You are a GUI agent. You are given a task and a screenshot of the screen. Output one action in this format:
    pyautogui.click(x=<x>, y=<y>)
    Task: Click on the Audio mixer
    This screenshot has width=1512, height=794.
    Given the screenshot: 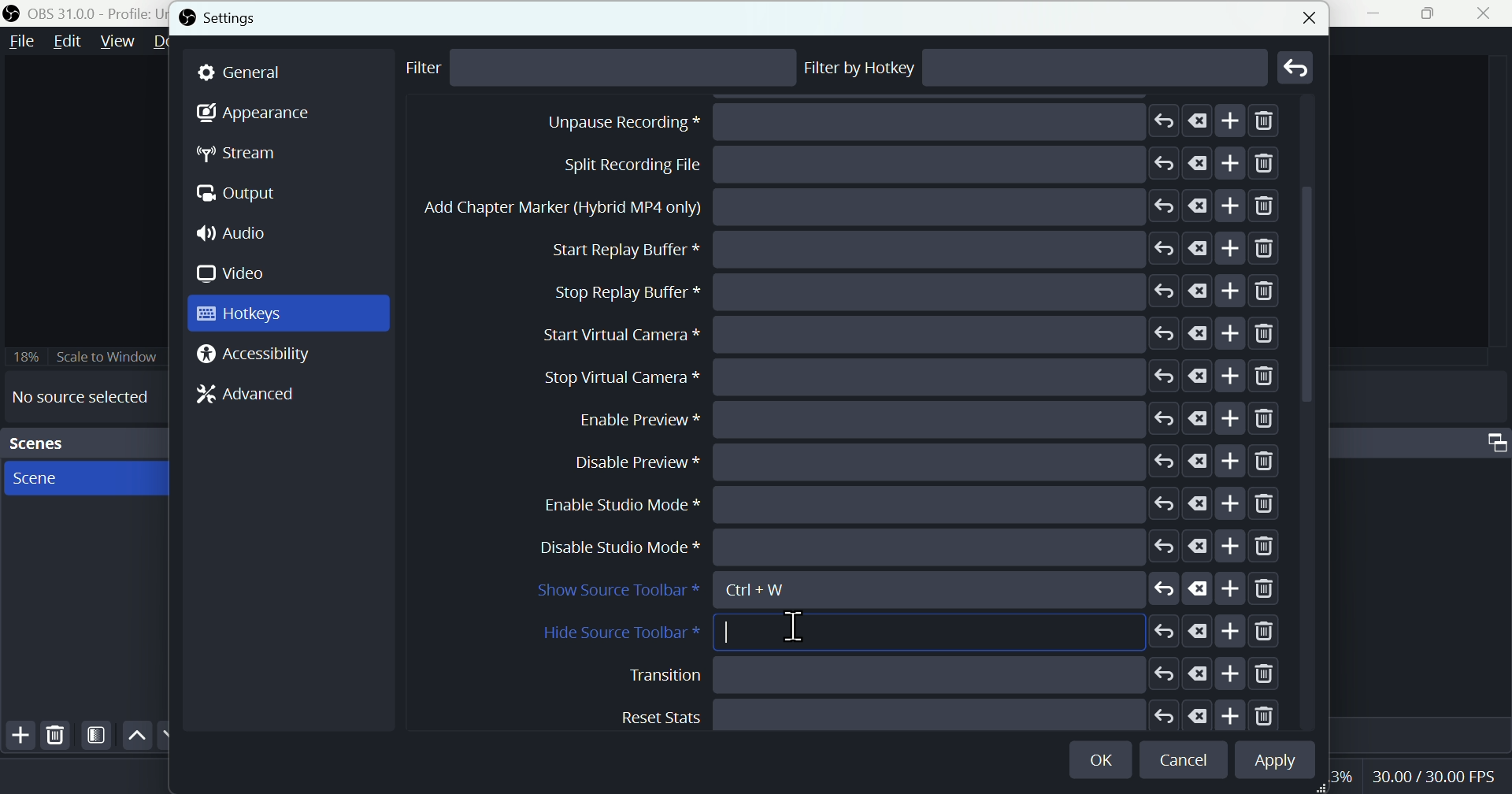 What is the action you would take?
    pyautogui.click(x=1493, y=439)
    